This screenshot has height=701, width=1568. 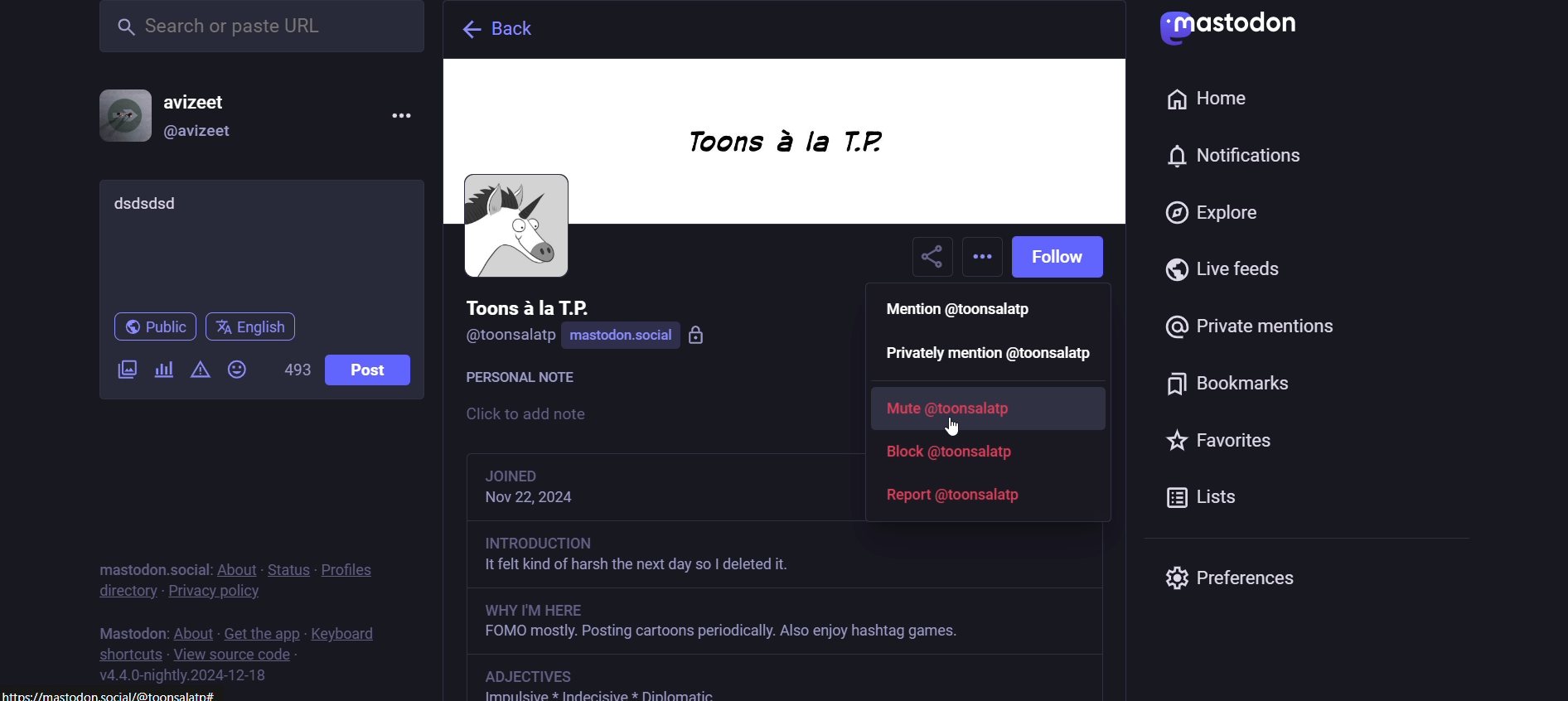 What do you see at coordinates (261, 27) in the screenshot?
I see `search` at bounding box center [261, 27].